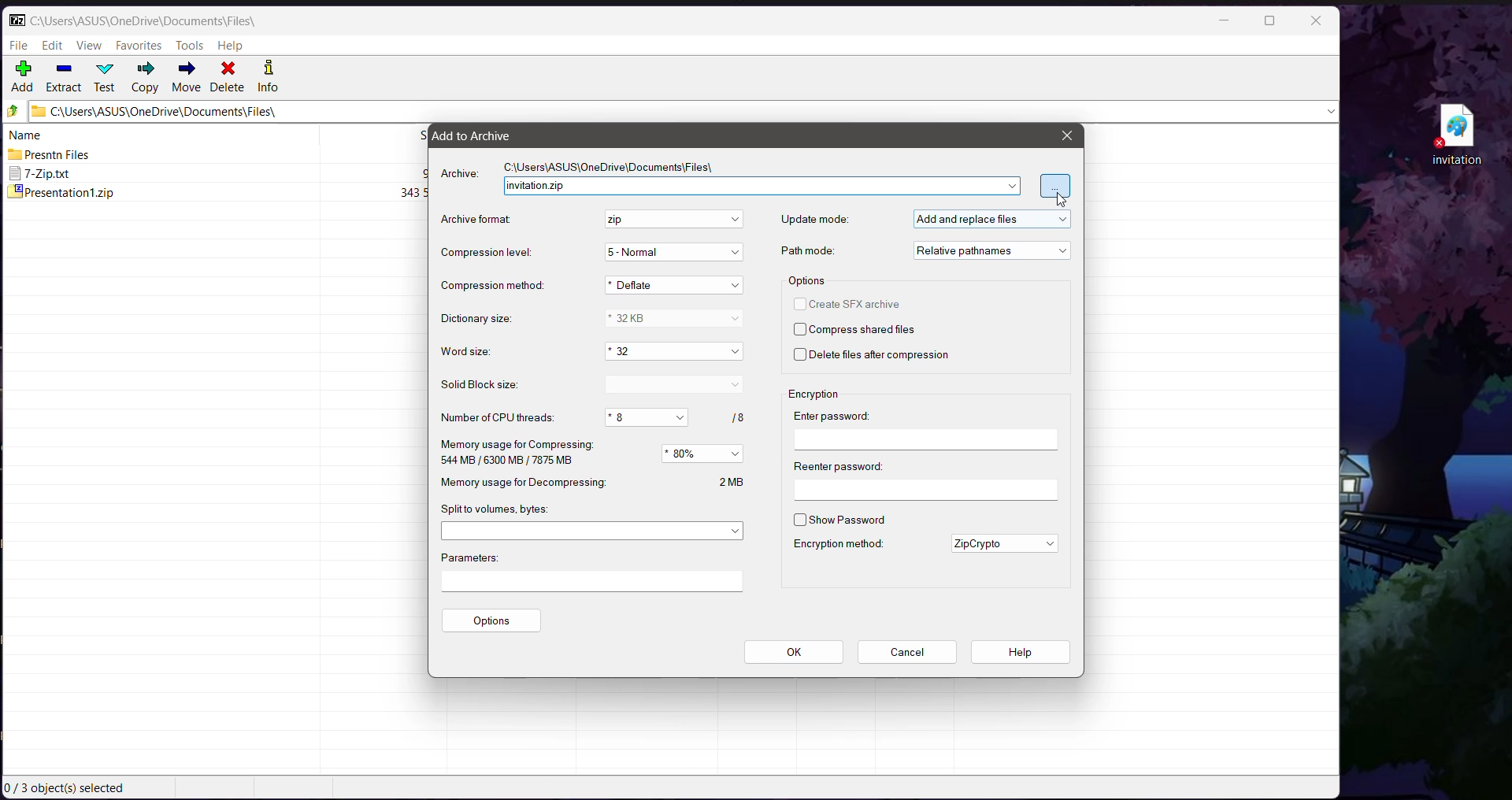  I want to click on Application Logo, so click(17, 20).